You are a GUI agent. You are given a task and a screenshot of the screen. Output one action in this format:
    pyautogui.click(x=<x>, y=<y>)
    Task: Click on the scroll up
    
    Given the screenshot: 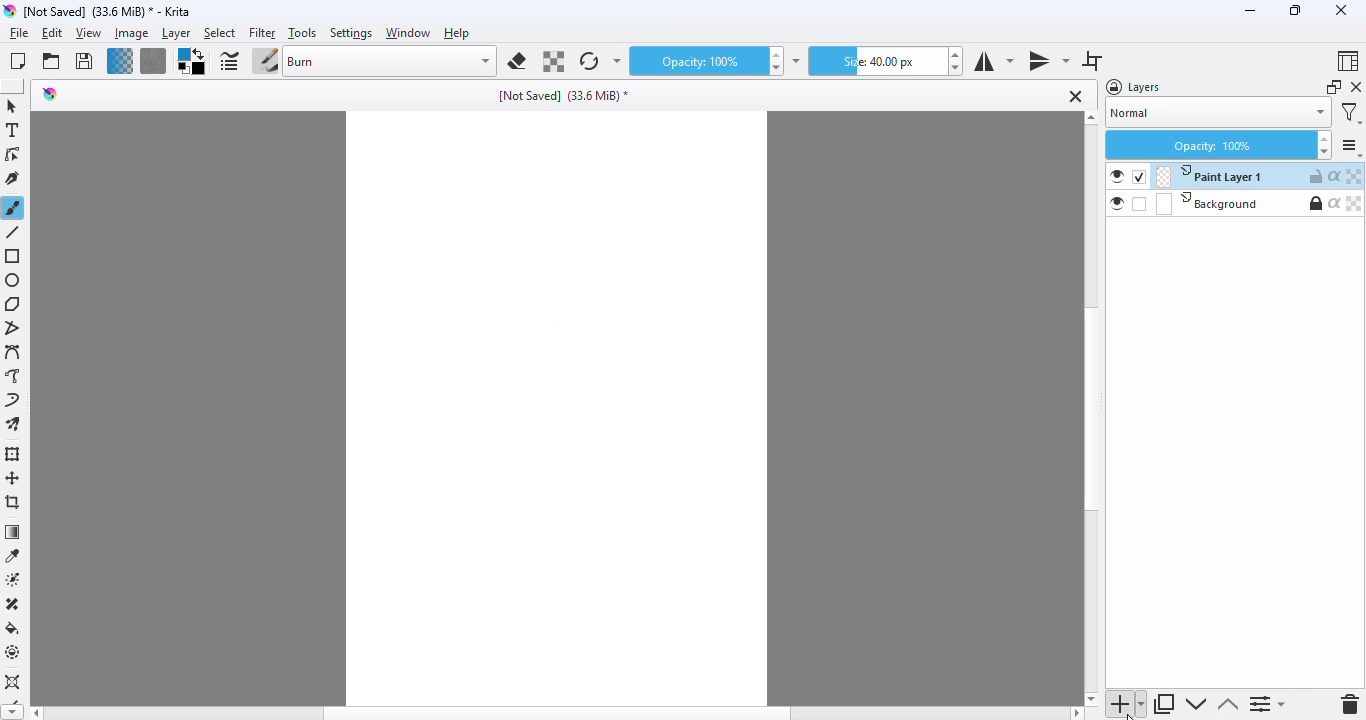 What is the action you would take?
    pyautogui.click(x=1091, y=117)
    